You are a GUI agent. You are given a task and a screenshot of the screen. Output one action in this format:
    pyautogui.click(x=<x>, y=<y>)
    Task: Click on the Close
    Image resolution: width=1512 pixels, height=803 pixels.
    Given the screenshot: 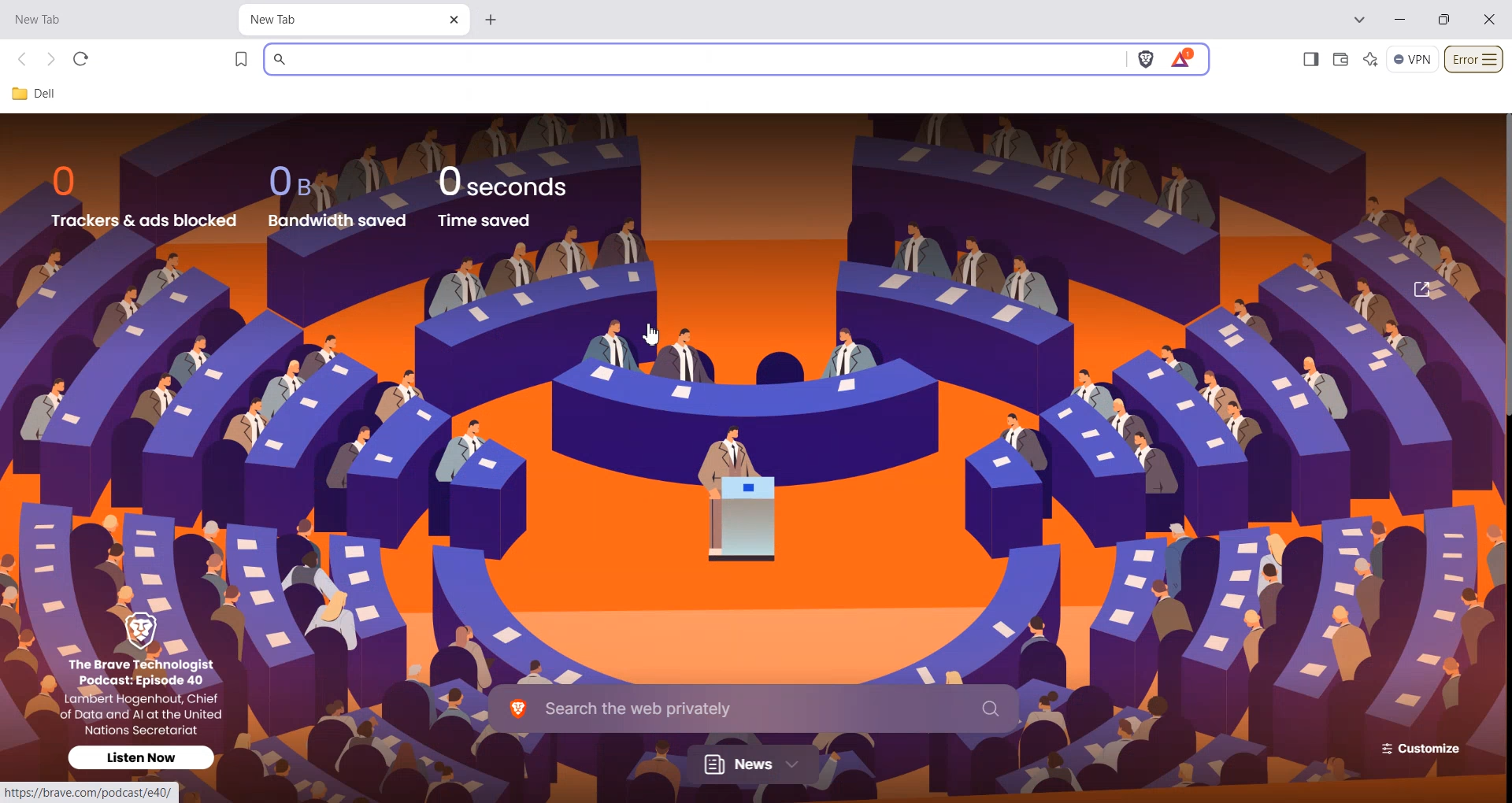 What is the action you would take?
    pyautogui.click(x=454, y=20)
    